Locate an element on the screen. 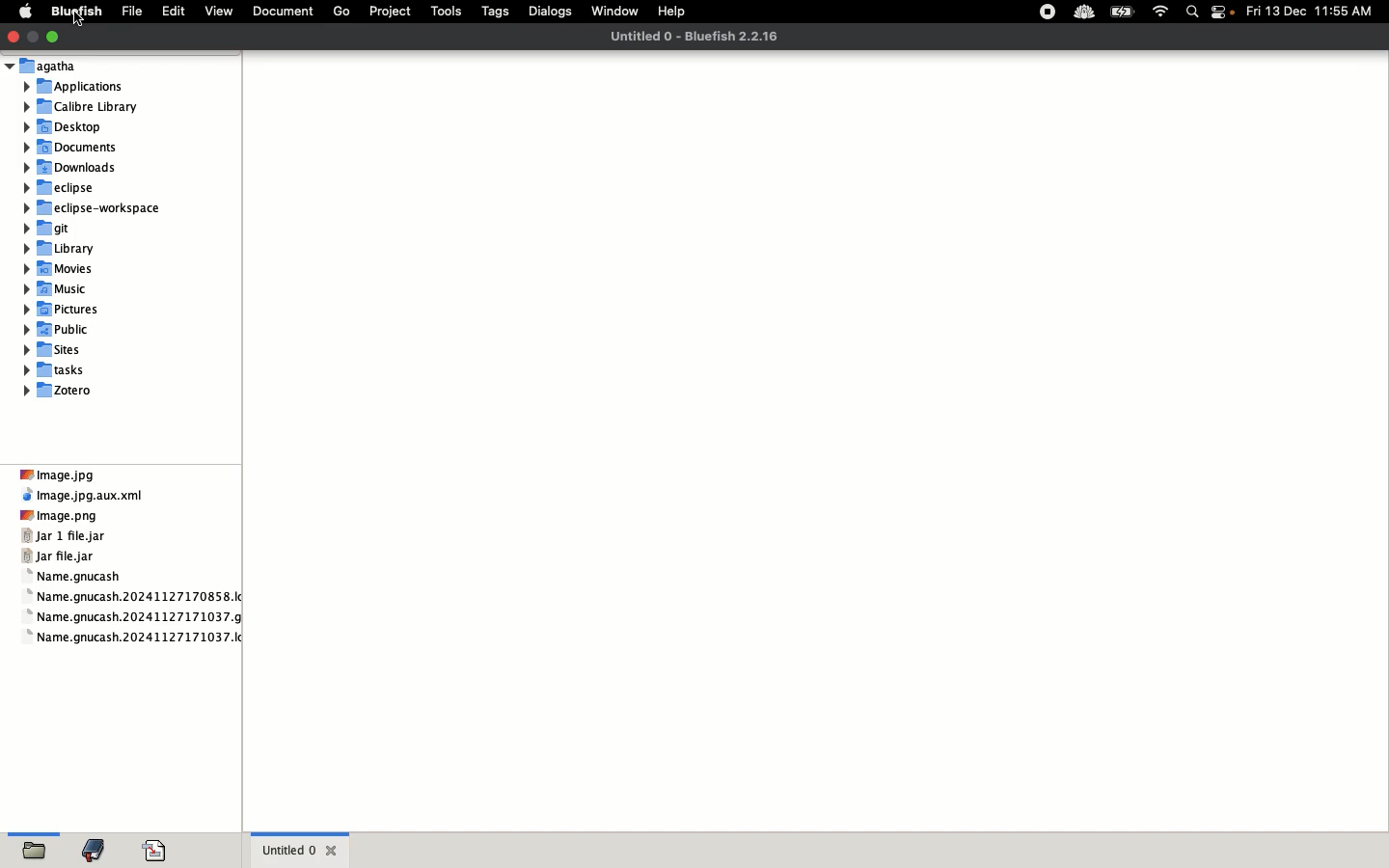  saved is located at coordinates (159, 843).